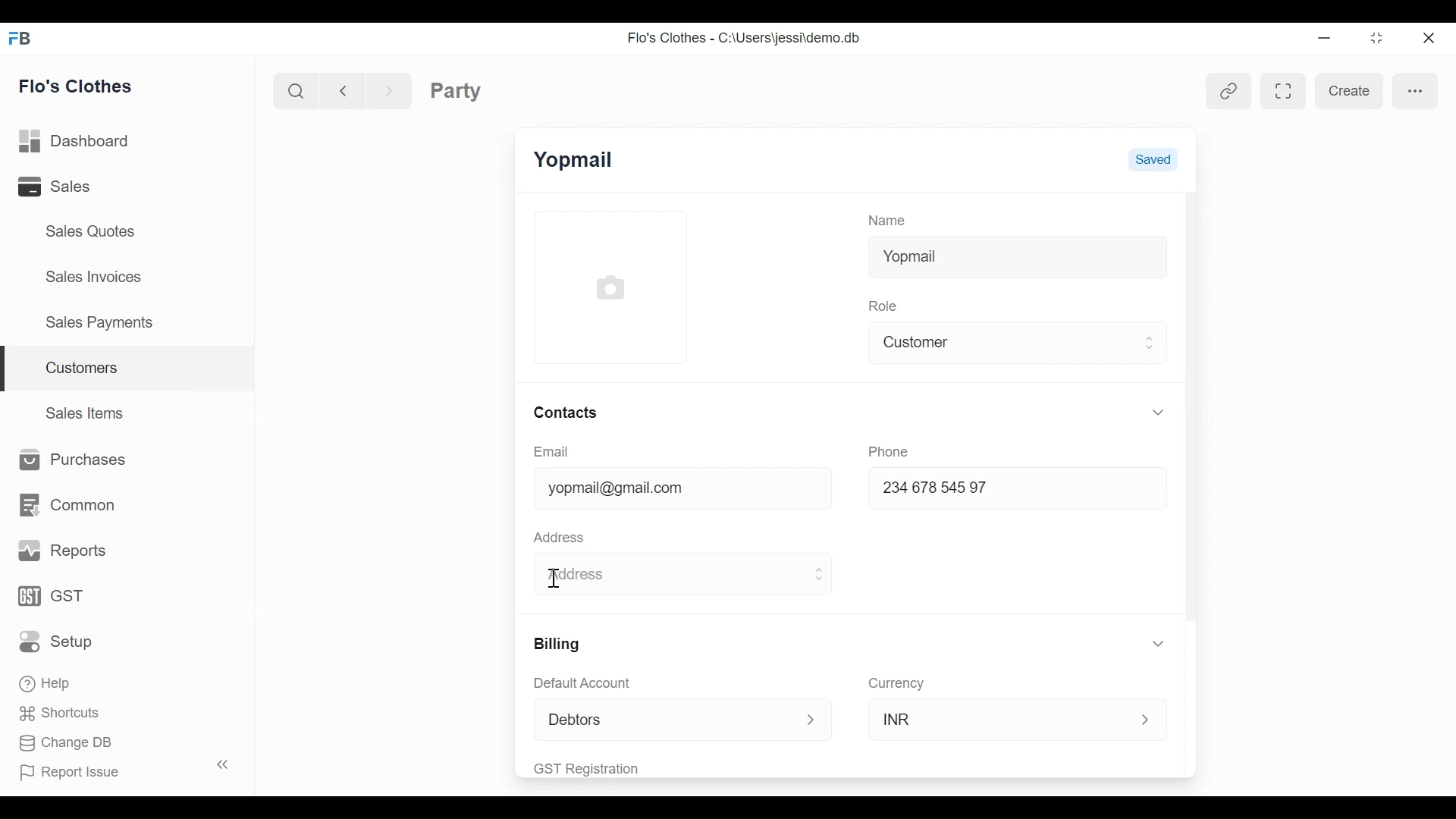  I want to click on Frappe Books Desktop Icon, so click(18, 39).